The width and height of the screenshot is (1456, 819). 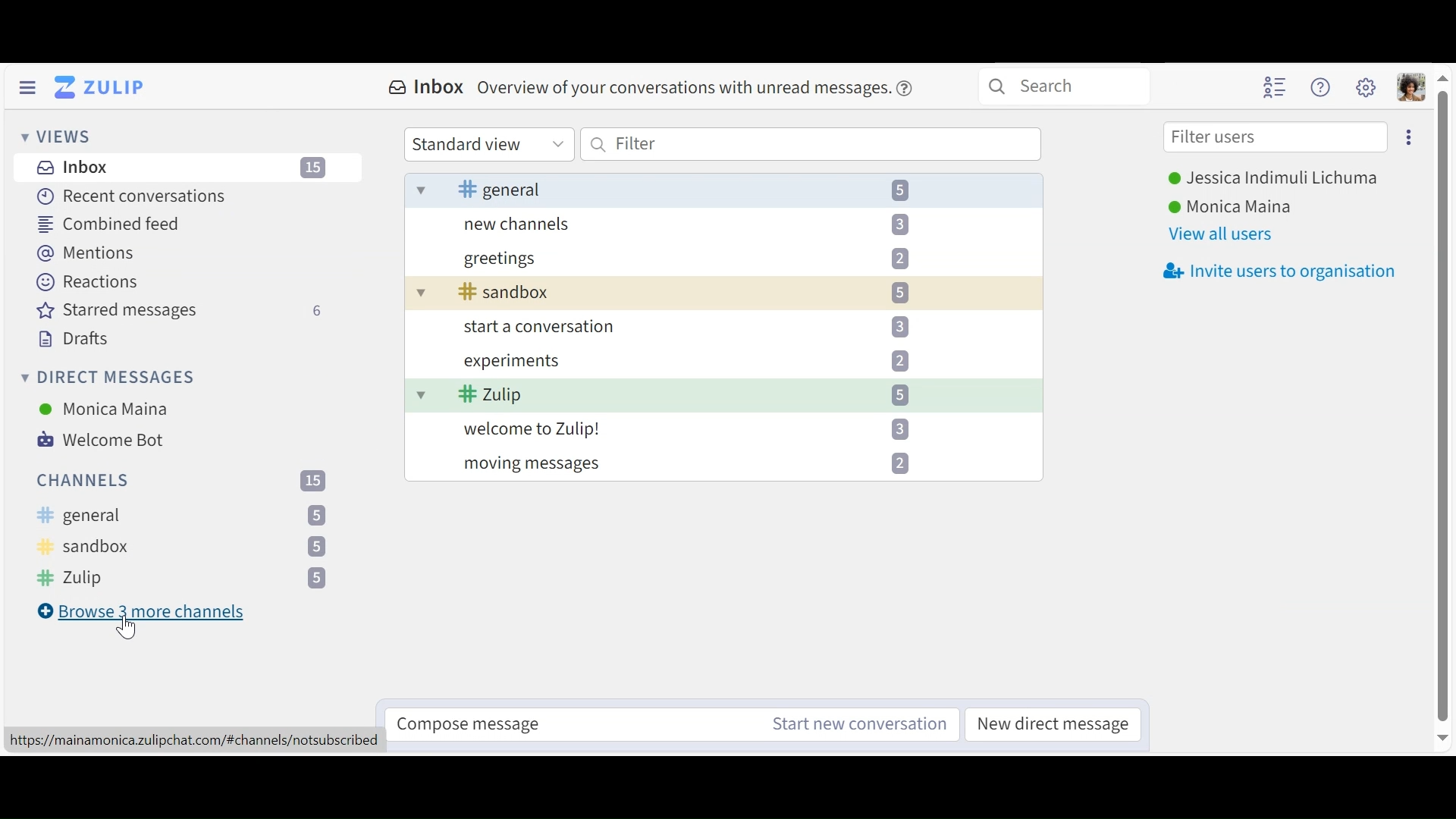 I want to click on Filter Channels, so click(x=183, y=480).